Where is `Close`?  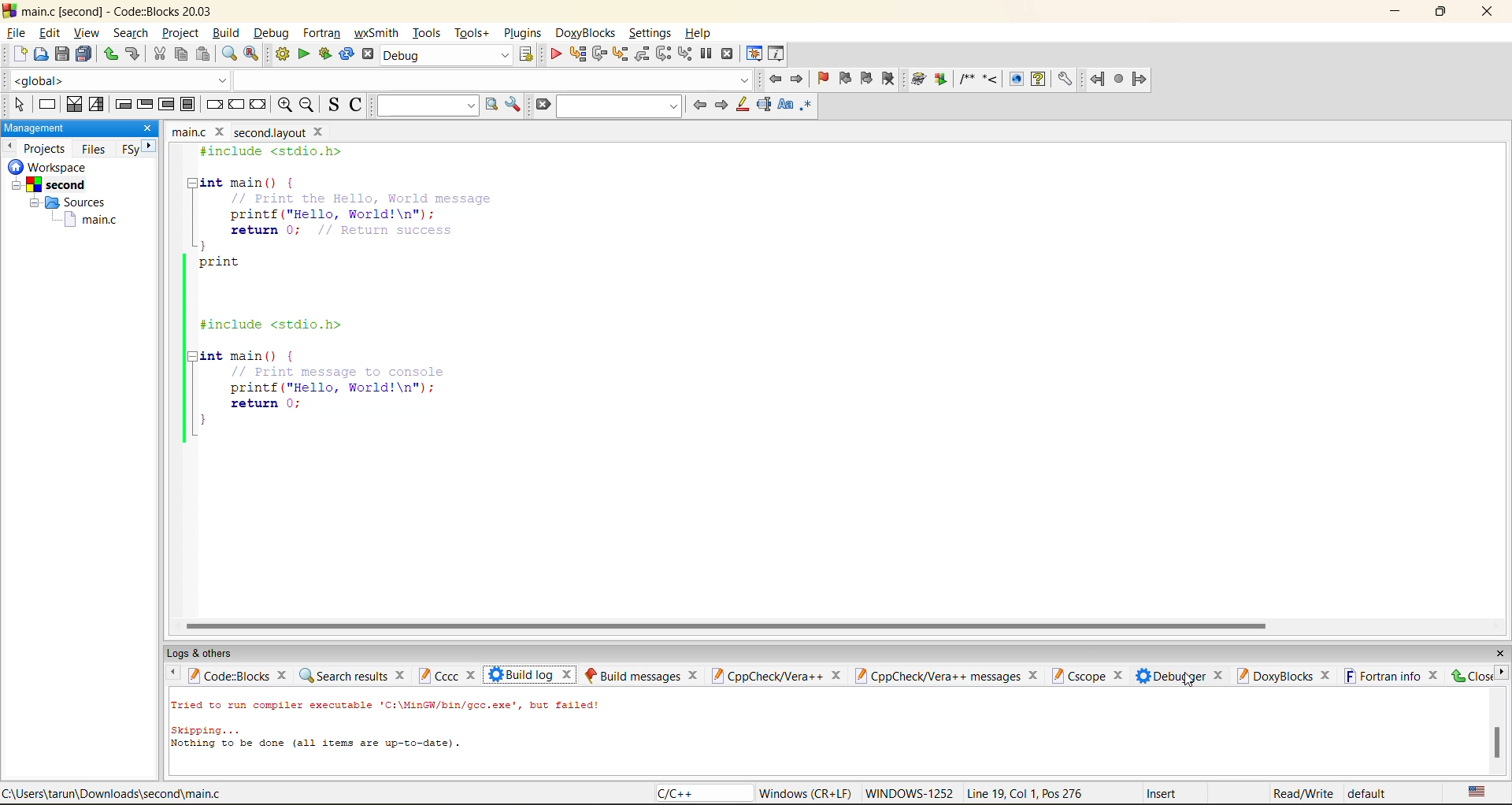 Close is located at coordinates (1472, 677).